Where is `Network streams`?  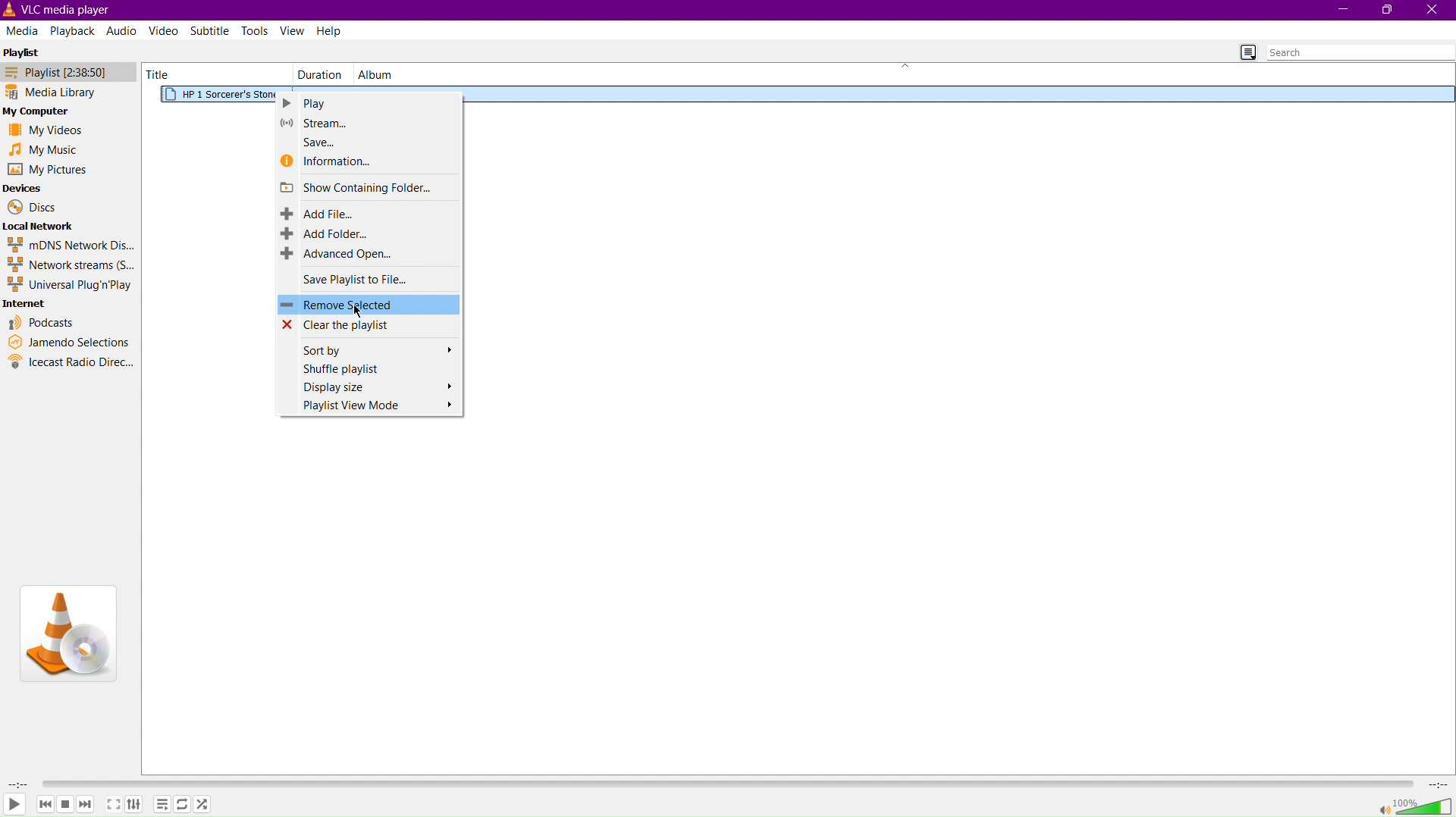
Network streams is located at coordinates (69, 264).